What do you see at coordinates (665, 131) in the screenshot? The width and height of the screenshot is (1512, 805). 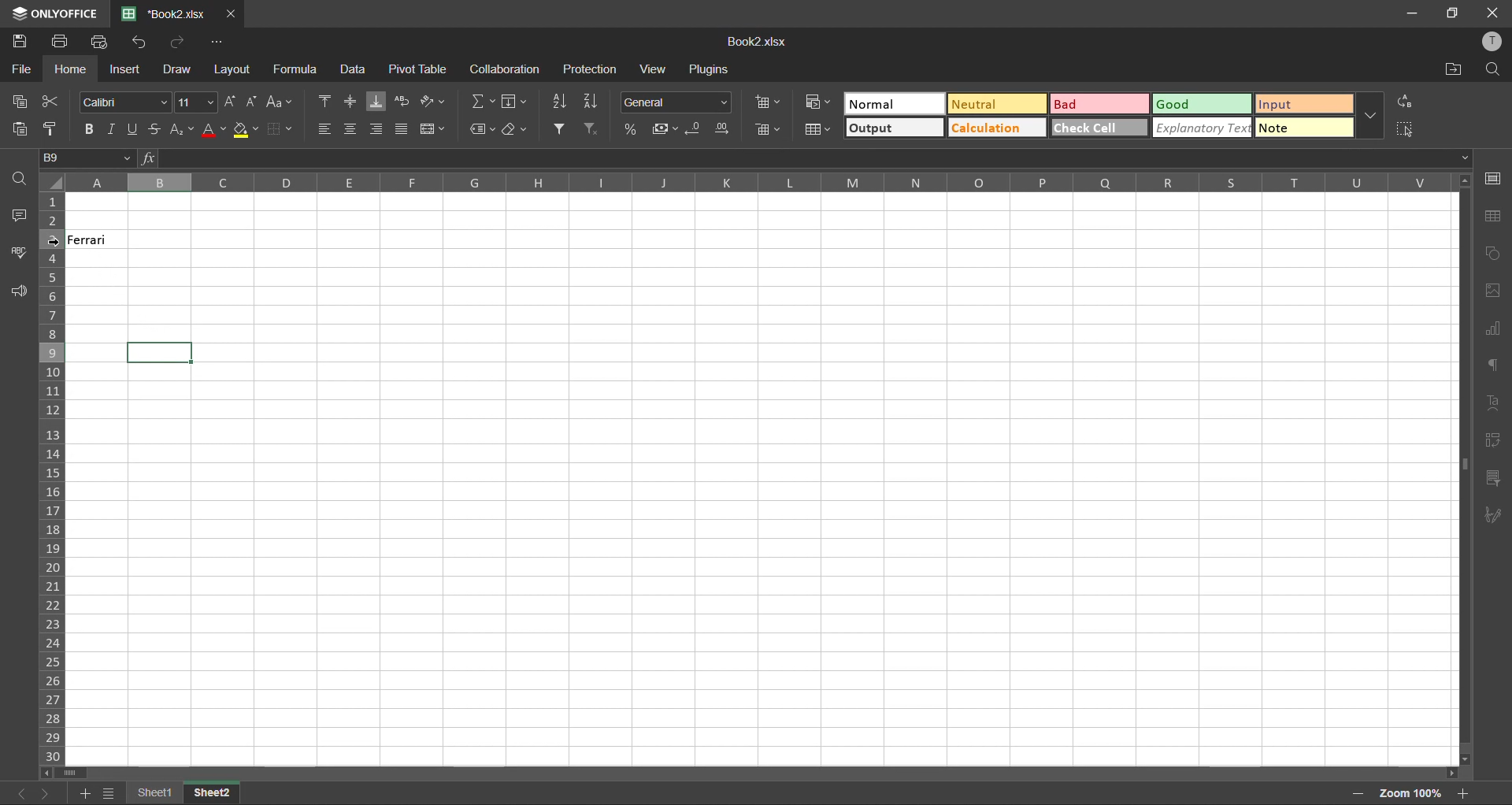 I see `accounting` at bounding box center [665, 131].